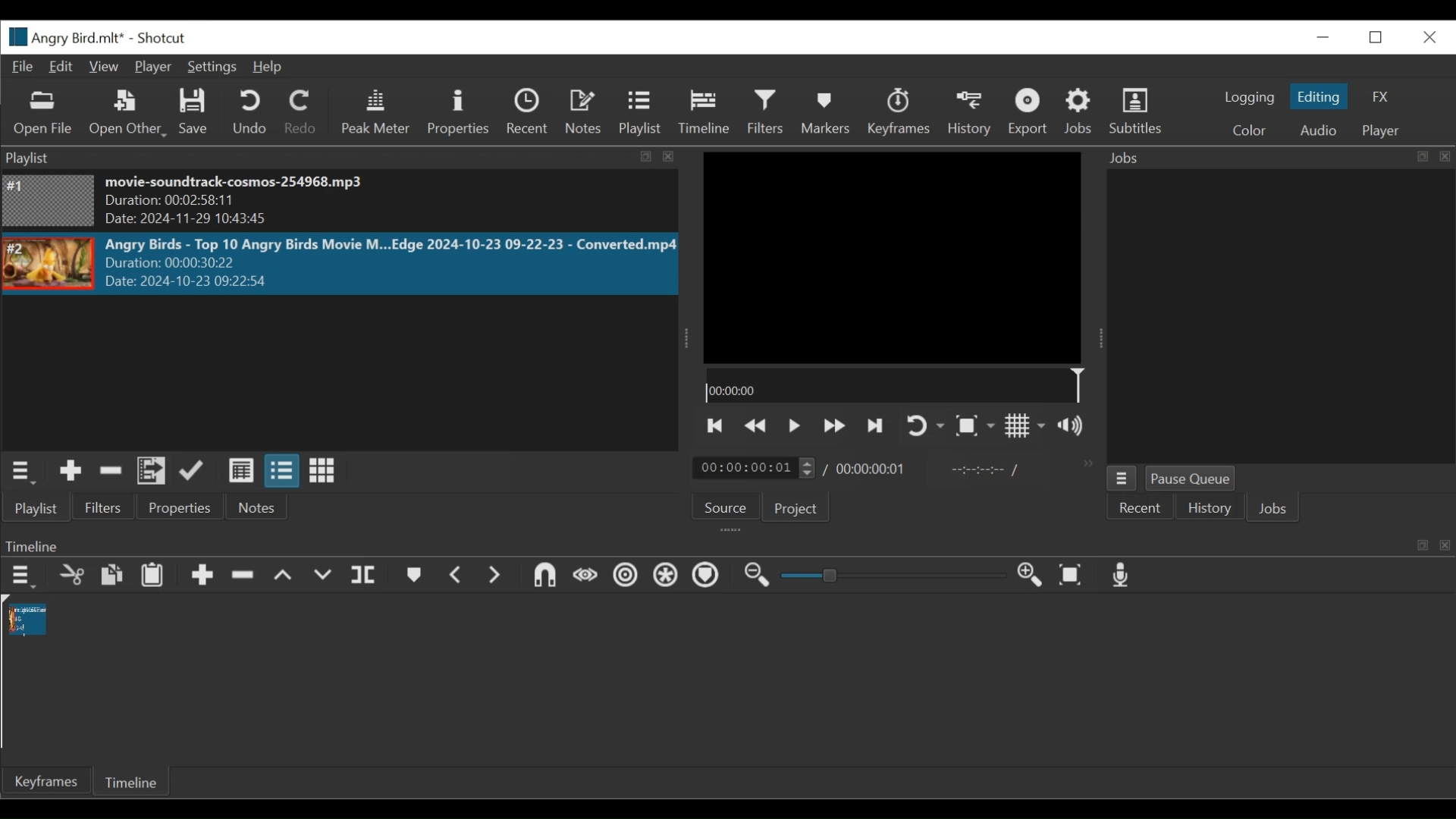 The height and width of the screenshot is (819, 1456). I want to click on Append, so click(201, 576).